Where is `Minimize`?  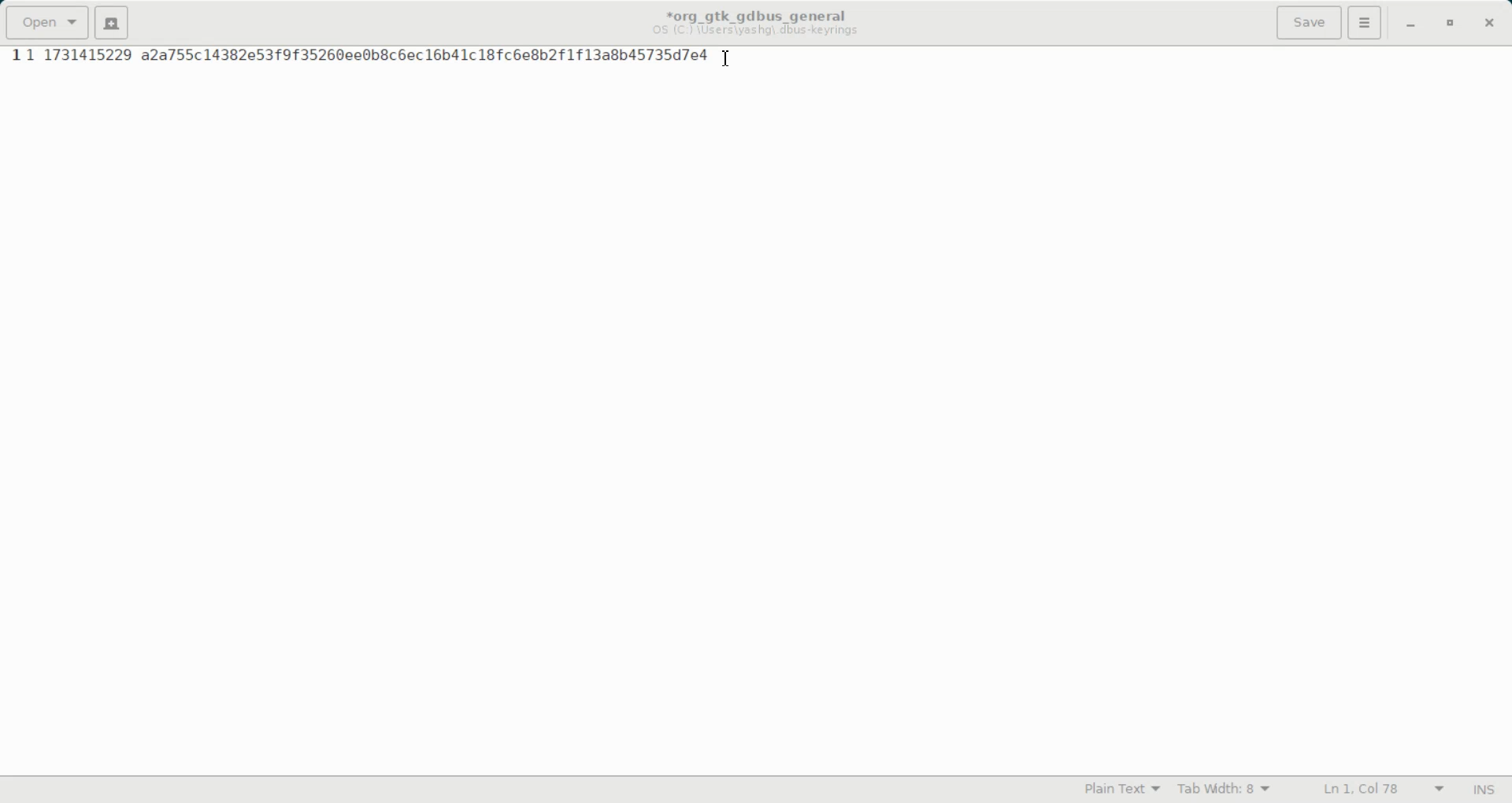
Minimize is located at coordinates (1410, 24).